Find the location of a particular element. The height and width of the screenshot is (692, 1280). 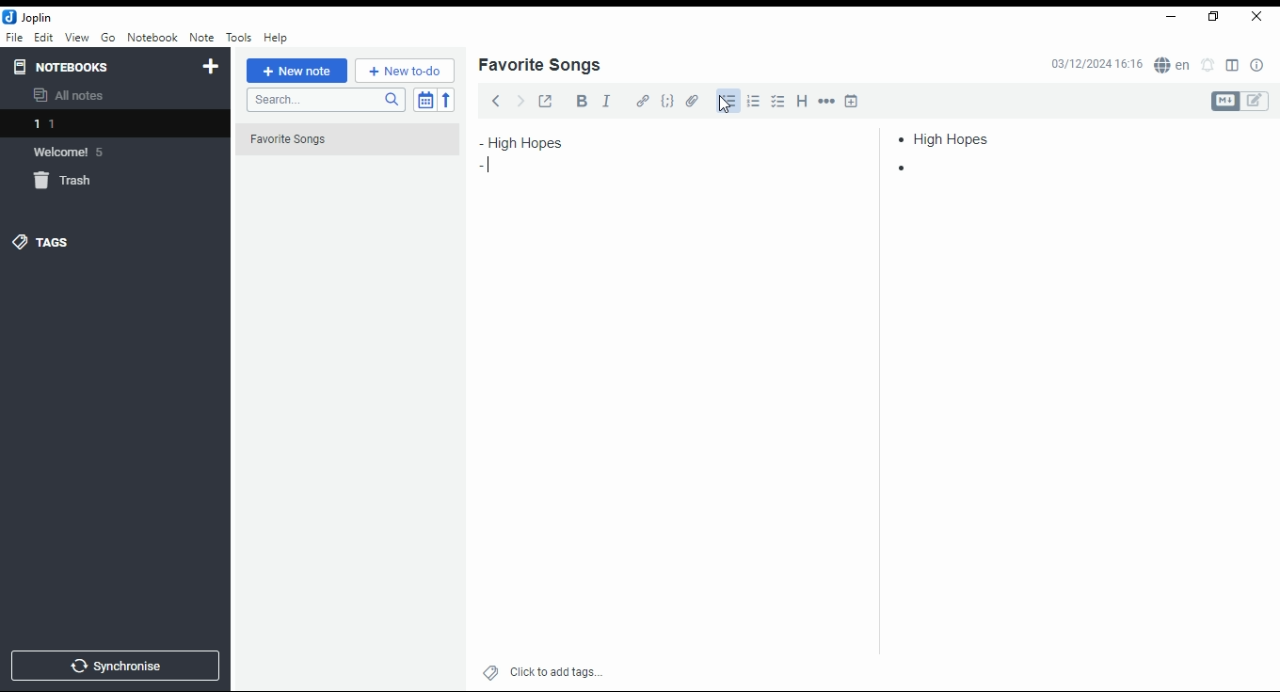

notebook 1 is located at coordinates (73, 126).